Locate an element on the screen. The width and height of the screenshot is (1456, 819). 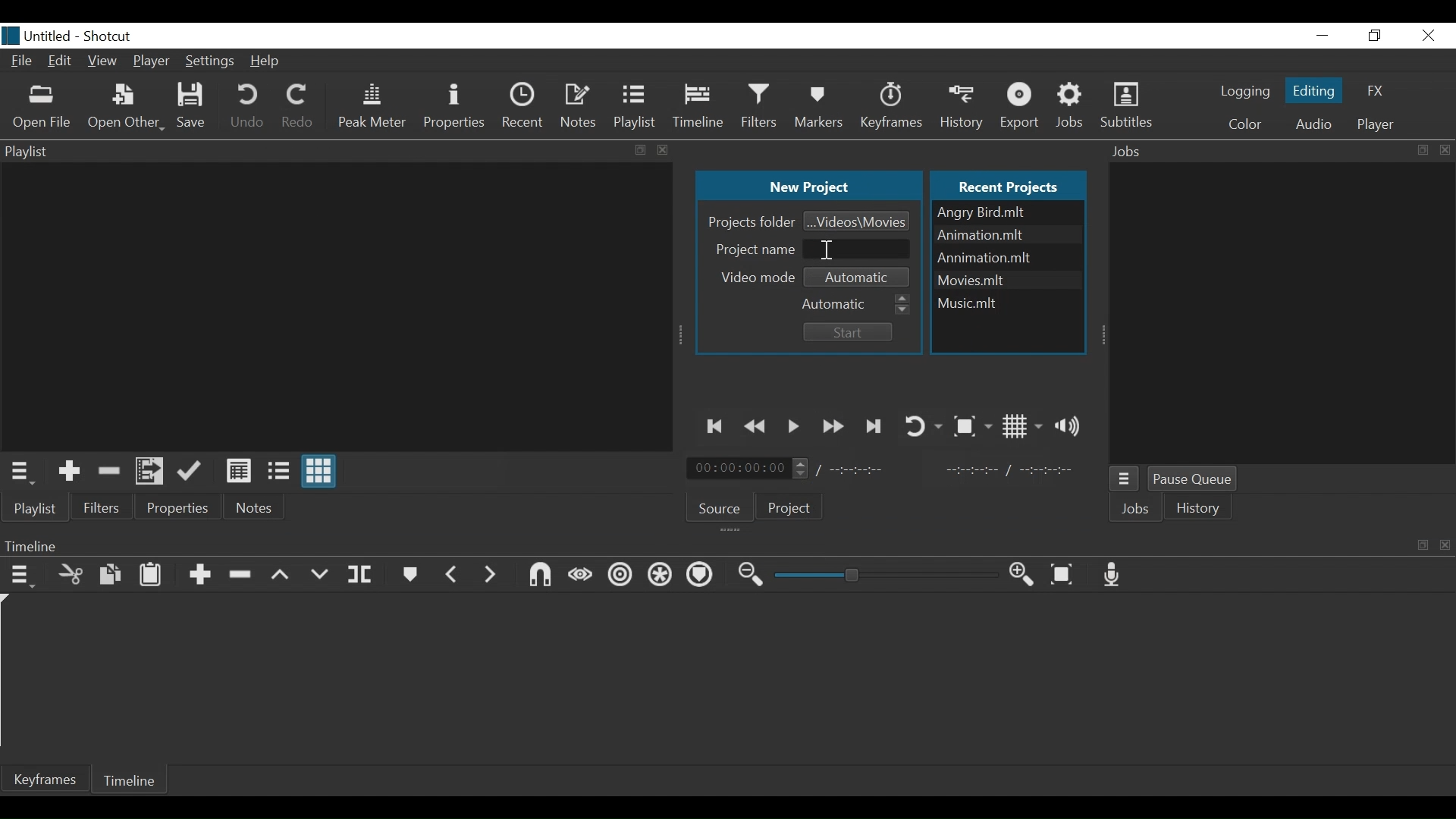
FX is located at coordinates (1376, 92).